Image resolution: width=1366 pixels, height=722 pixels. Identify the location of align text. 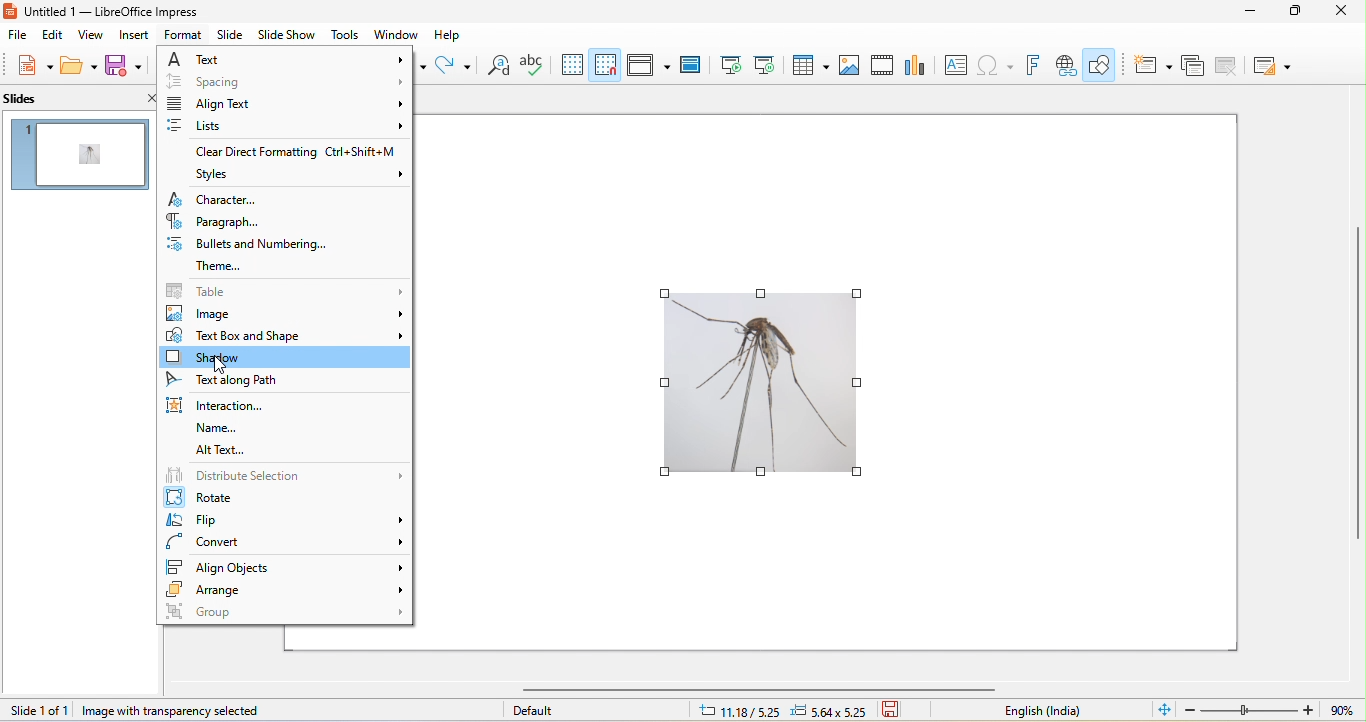
(287, 102).